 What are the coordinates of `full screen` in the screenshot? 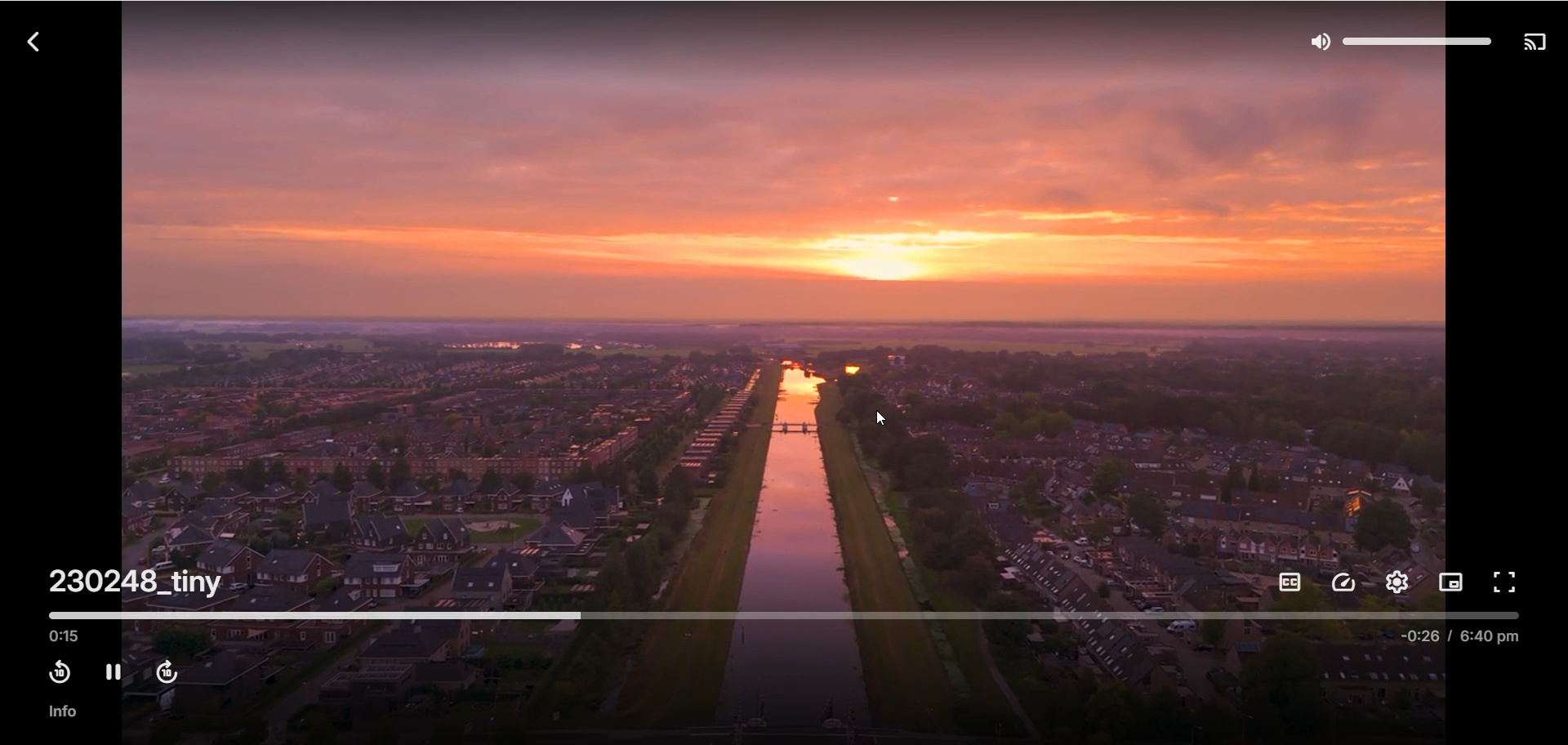 It's located at (1510, 585).